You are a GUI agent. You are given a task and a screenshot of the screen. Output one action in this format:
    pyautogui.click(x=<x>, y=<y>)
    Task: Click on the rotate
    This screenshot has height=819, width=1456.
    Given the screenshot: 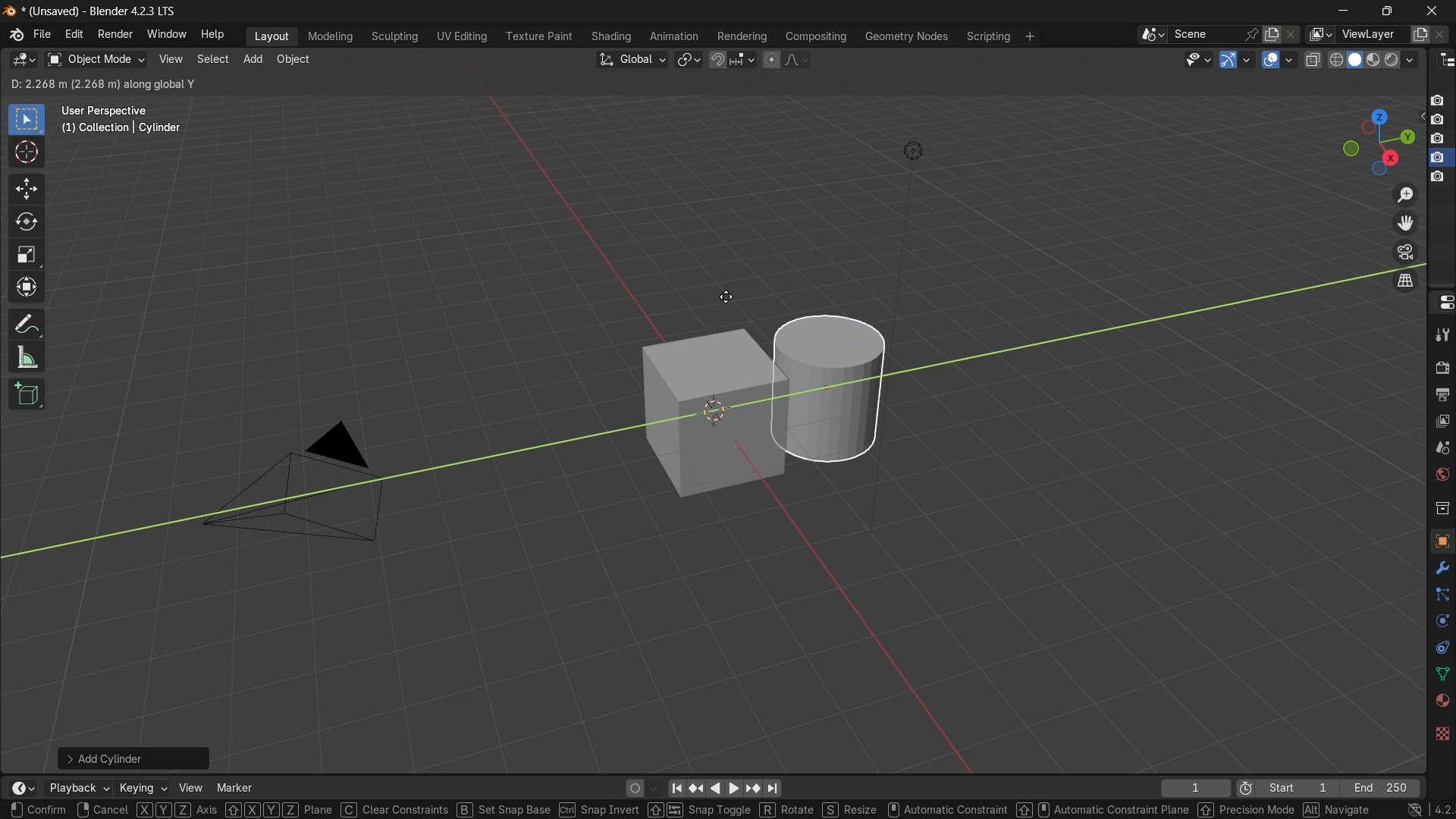 What is the action you would take?
    pyautogui.click(x=1435, y=623)
    